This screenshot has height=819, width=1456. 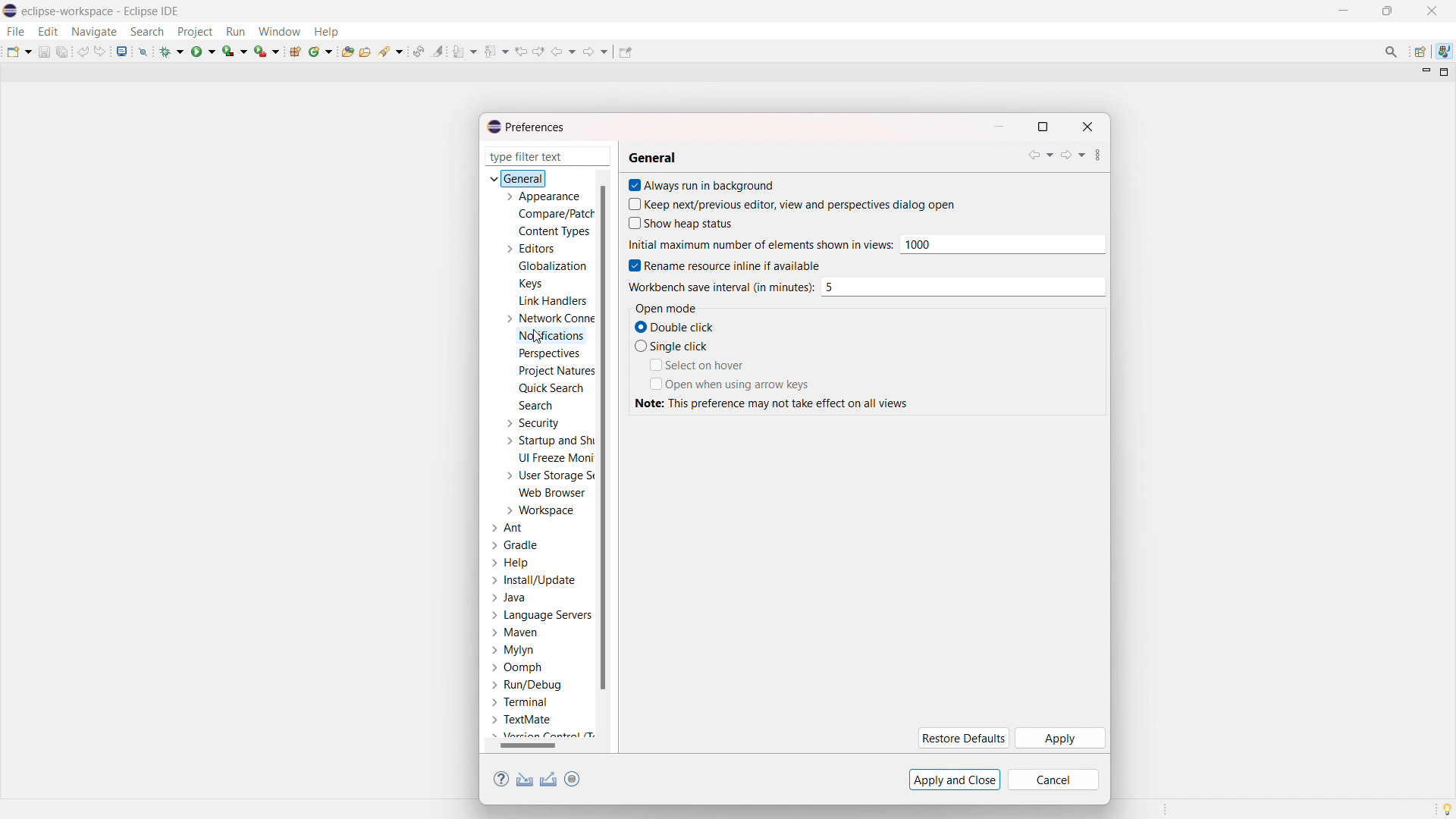 I want to click on Checkbox, so click(x=631, y=185).